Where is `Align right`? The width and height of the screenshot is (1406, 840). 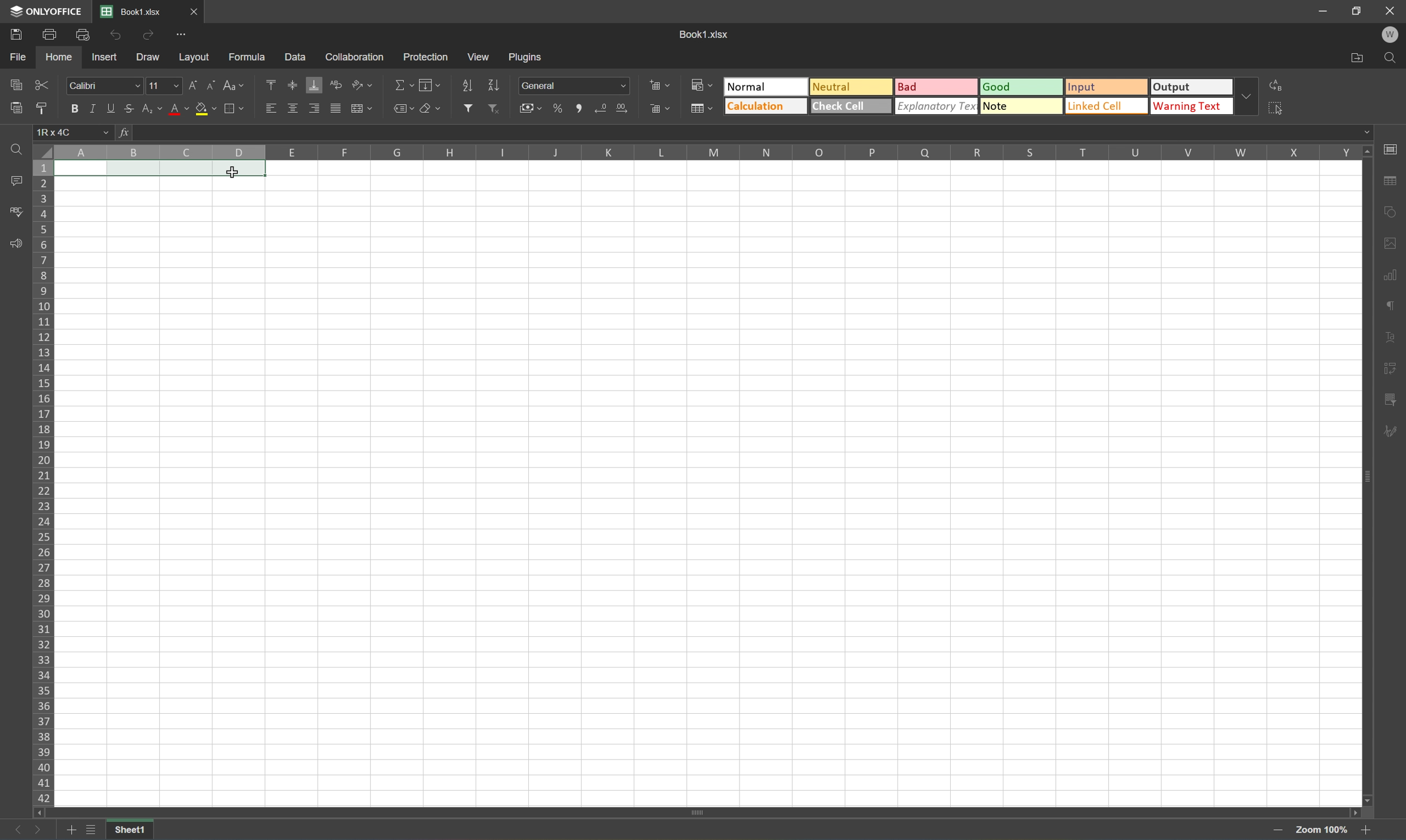 Align right is located at coordinates (314, 110).